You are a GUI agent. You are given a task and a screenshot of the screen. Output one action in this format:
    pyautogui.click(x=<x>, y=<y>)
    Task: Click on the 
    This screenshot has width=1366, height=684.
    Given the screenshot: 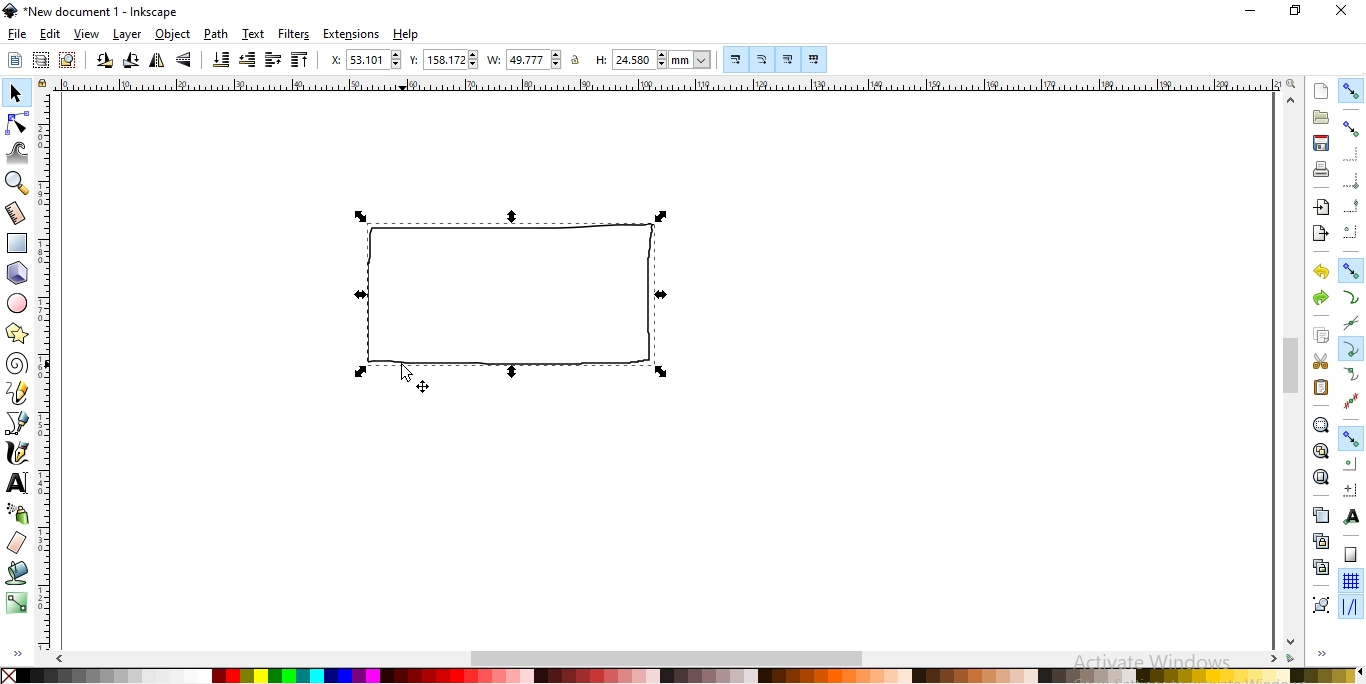 What is the action you would take?
    pyautogui.click(x=764, y=58)
    